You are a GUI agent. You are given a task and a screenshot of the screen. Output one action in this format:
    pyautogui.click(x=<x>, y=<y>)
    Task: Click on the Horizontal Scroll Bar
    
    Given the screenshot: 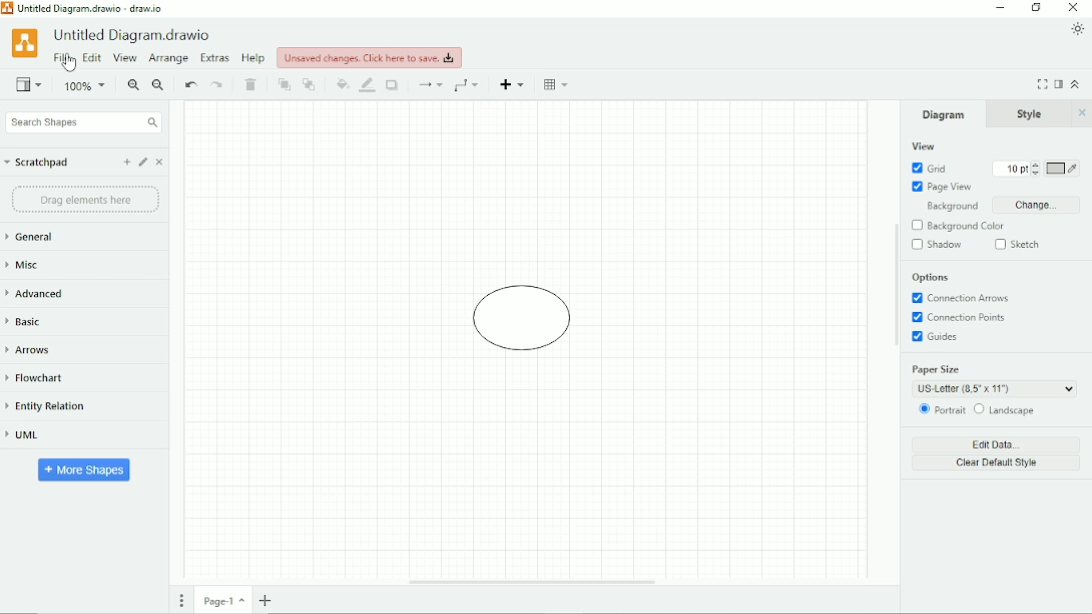 What is the action you would take?
    pyautogui.click(x=530, y=582)
    